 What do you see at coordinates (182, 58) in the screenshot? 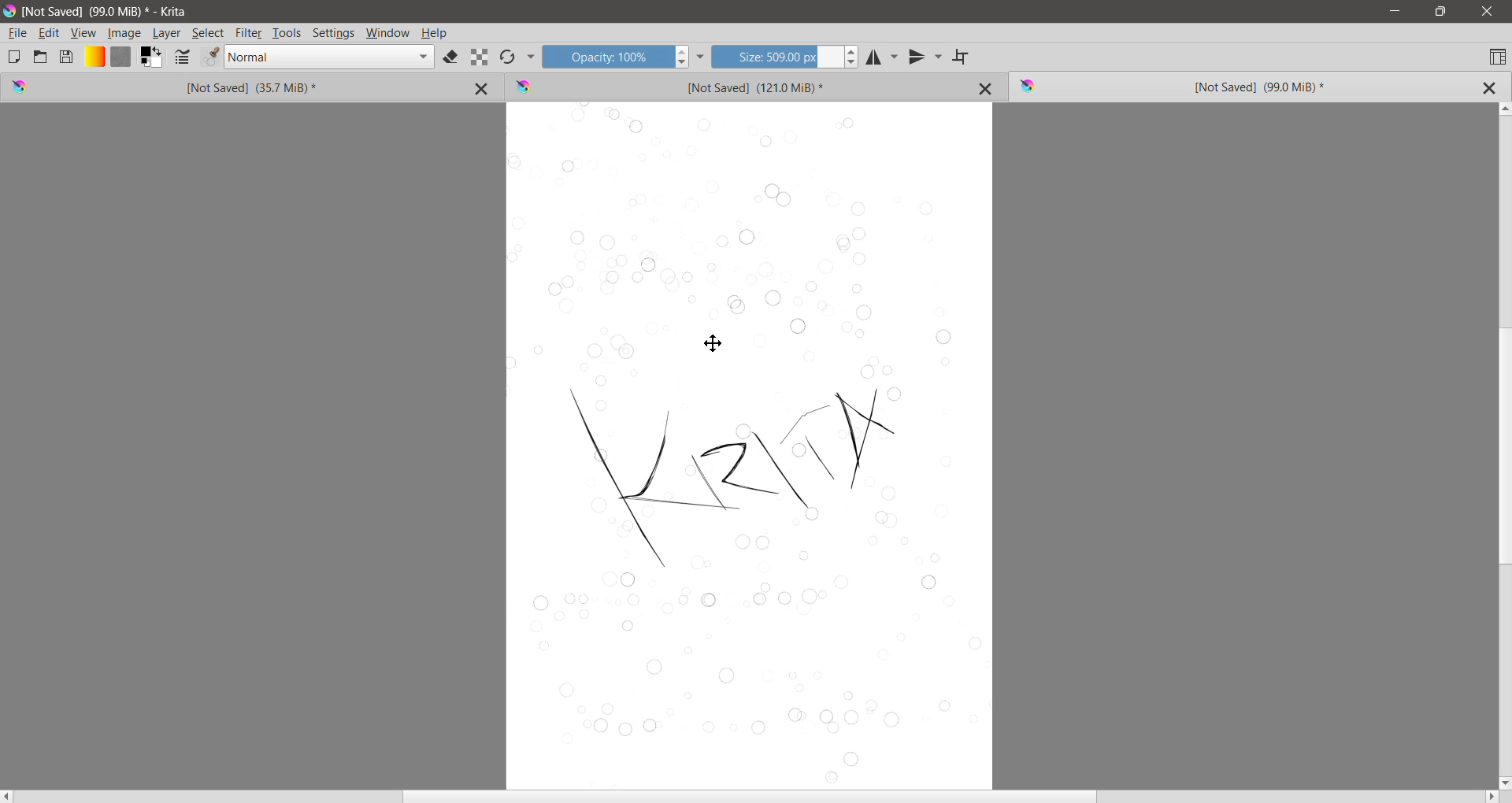
I see `Edit Brush settings` at bounding box center [182, 58].